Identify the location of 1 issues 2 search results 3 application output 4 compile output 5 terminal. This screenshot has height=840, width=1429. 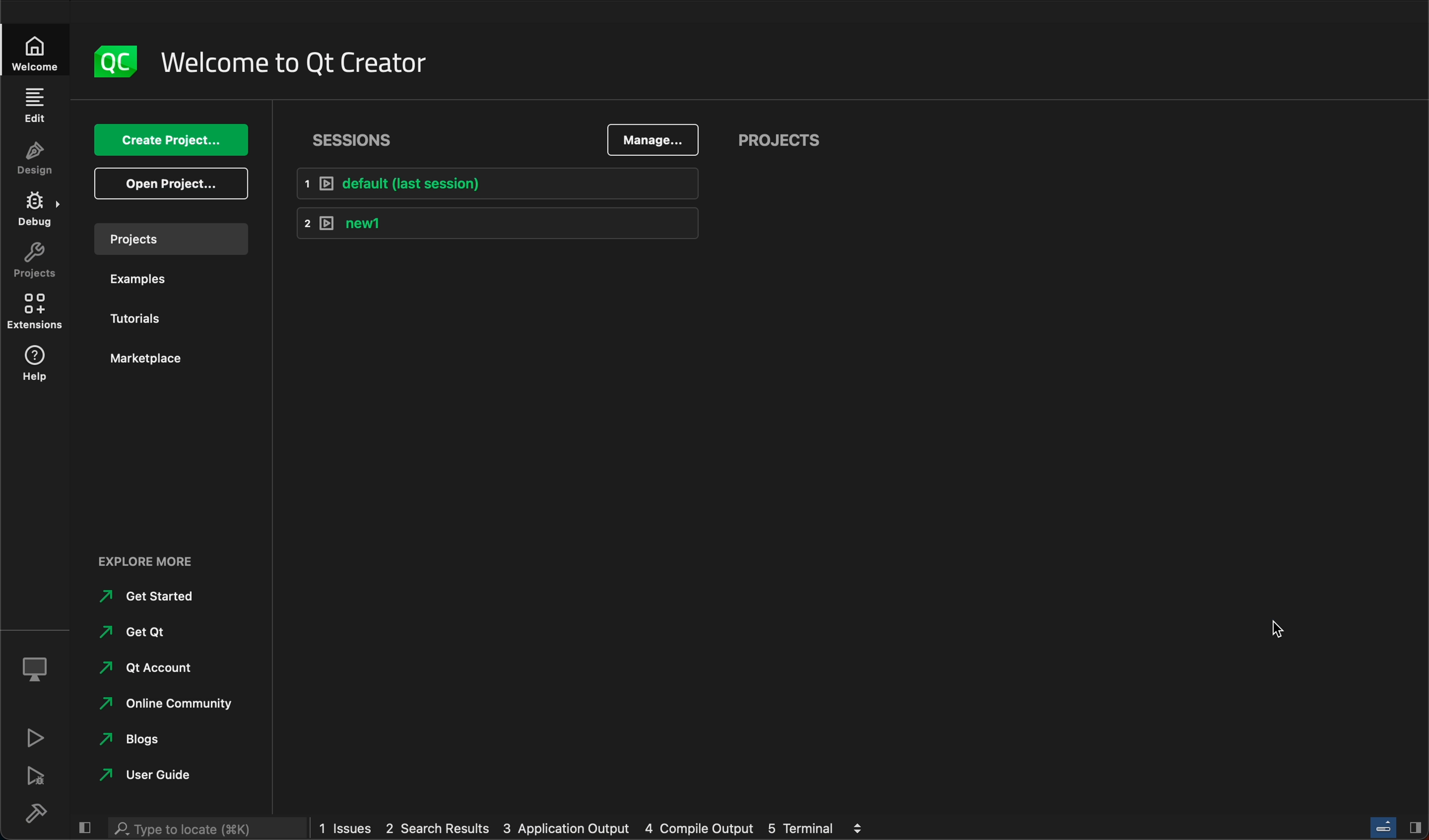
(579, 828).